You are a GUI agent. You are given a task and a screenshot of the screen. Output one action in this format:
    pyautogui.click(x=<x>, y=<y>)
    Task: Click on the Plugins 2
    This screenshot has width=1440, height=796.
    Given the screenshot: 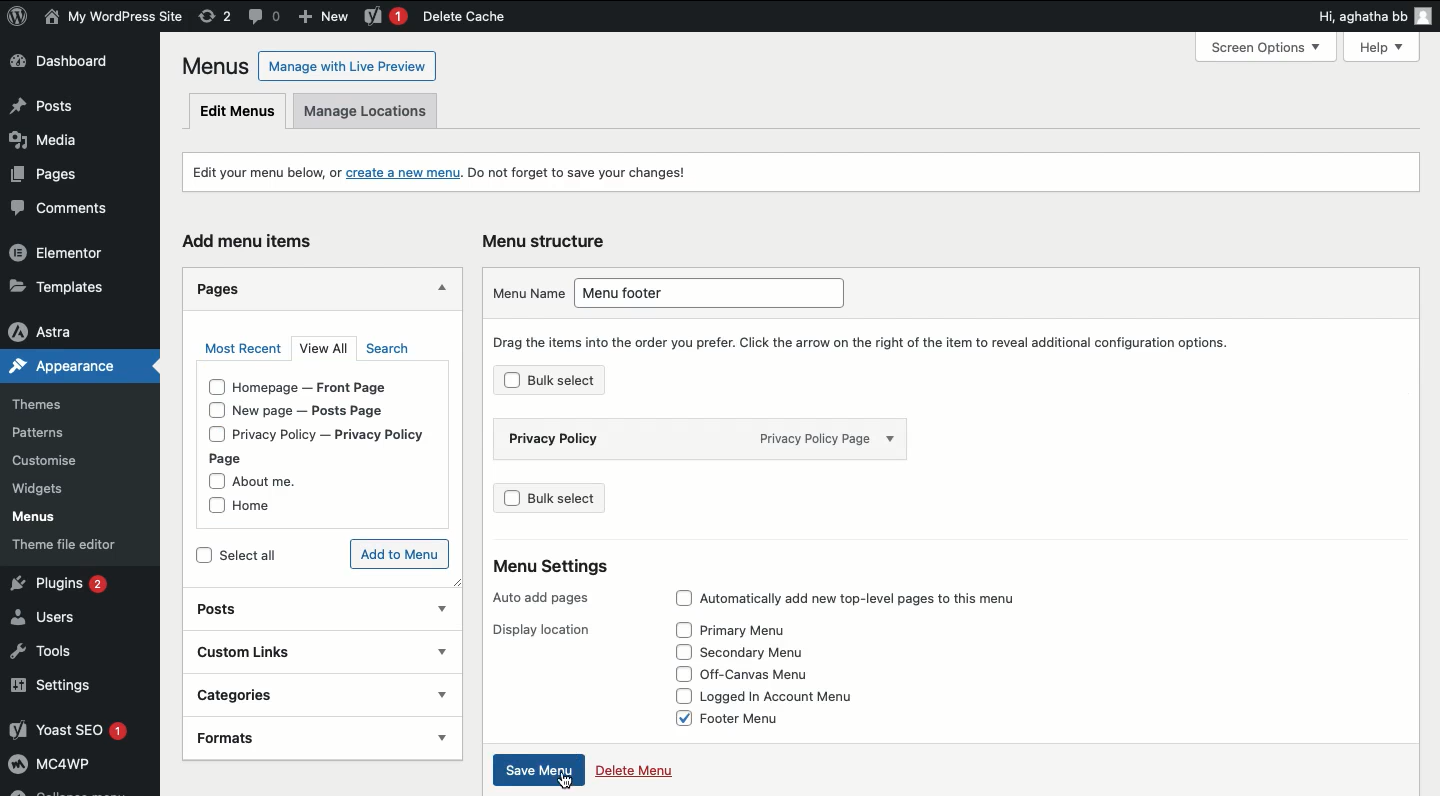 What is the action you would take?
    pyautogui.click(x=75, y=584)
    